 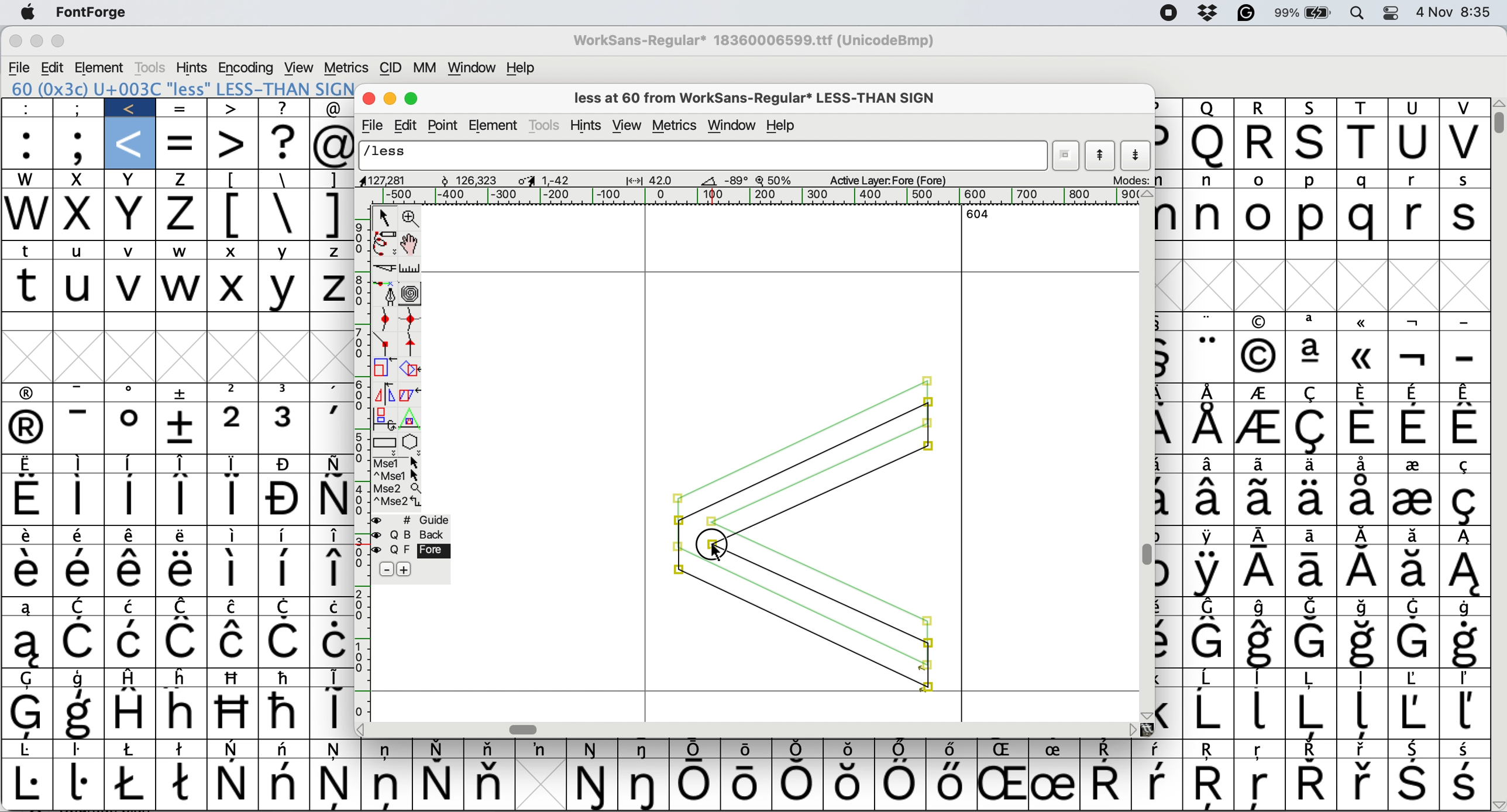 What do you see at coordinates (1245, 13) in the screenshot?
I see `grammarly` at bounding box center [1245, 13].